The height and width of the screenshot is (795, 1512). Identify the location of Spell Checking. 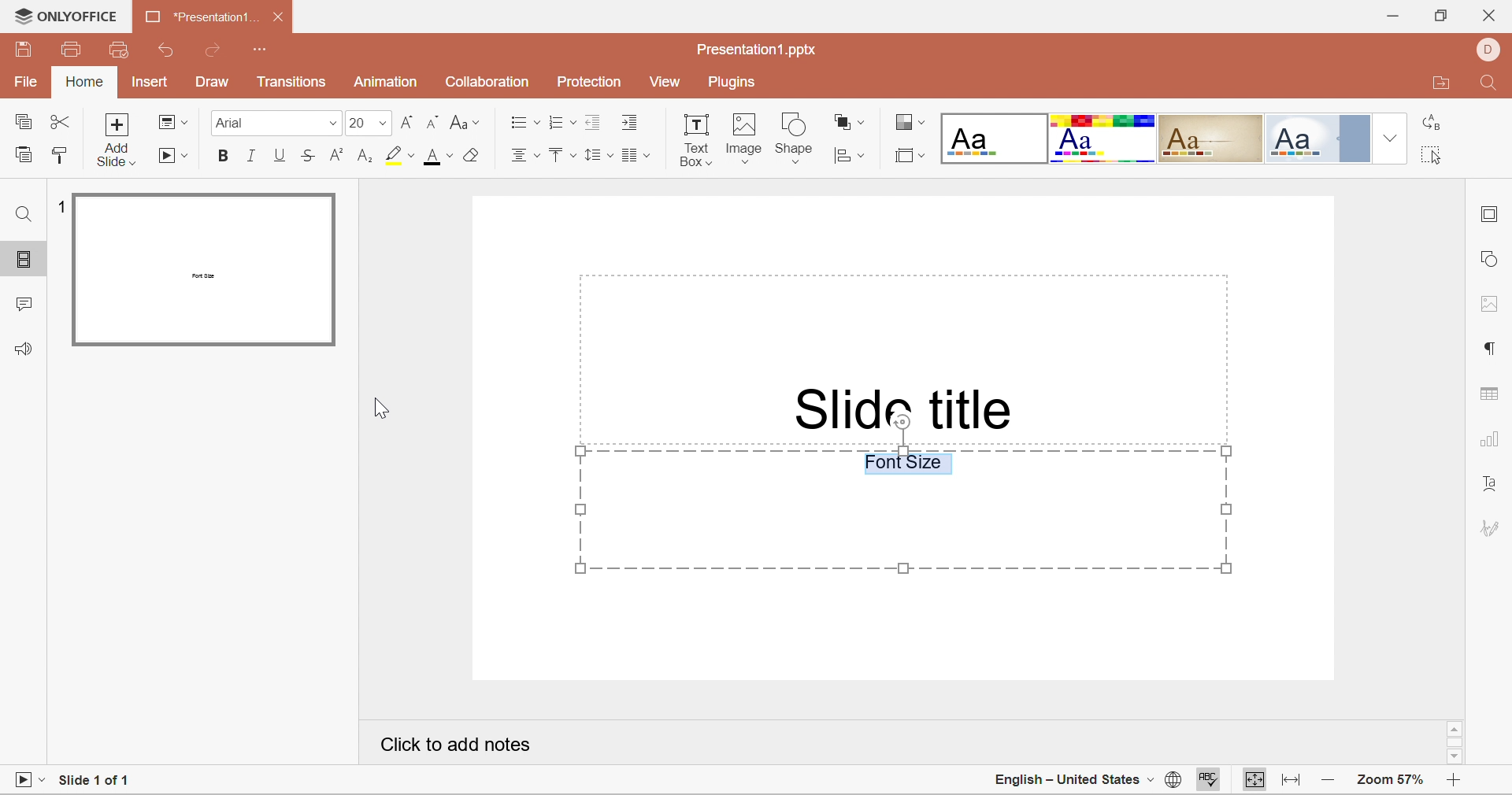
(1210, 781).